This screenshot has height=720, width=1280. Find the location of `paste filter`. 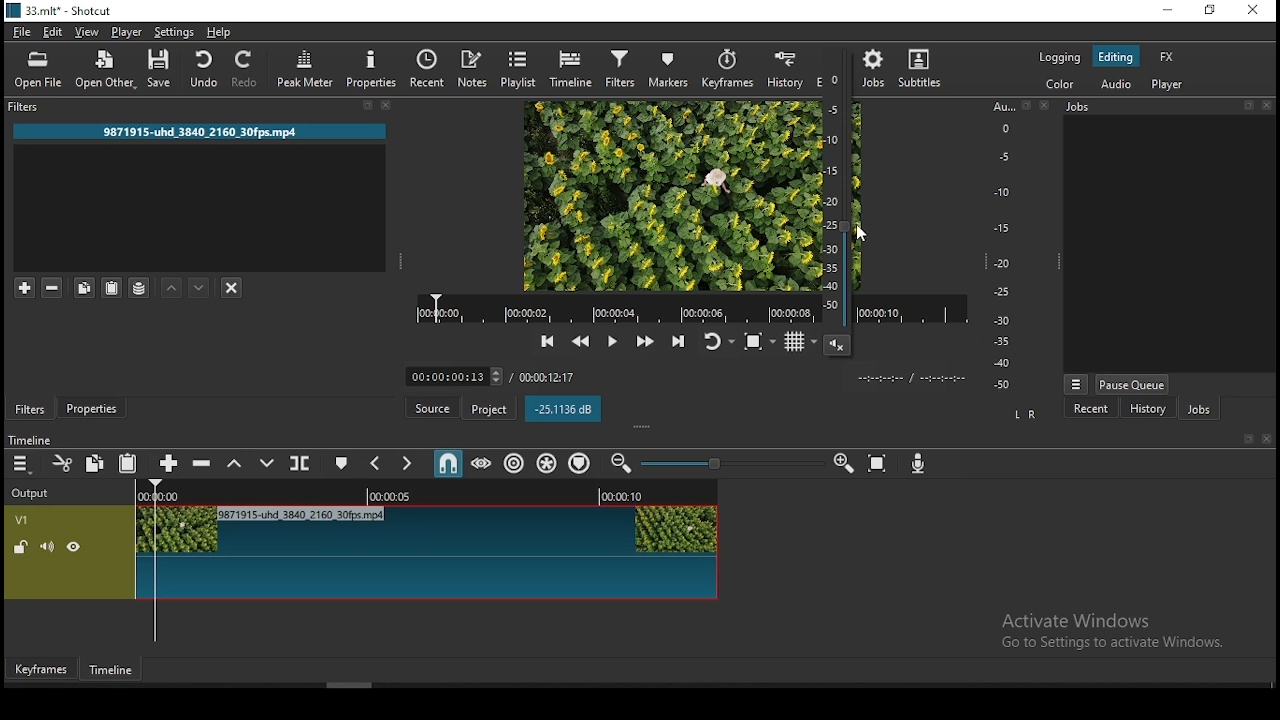

paste filter is located at coordinates (111, 287).